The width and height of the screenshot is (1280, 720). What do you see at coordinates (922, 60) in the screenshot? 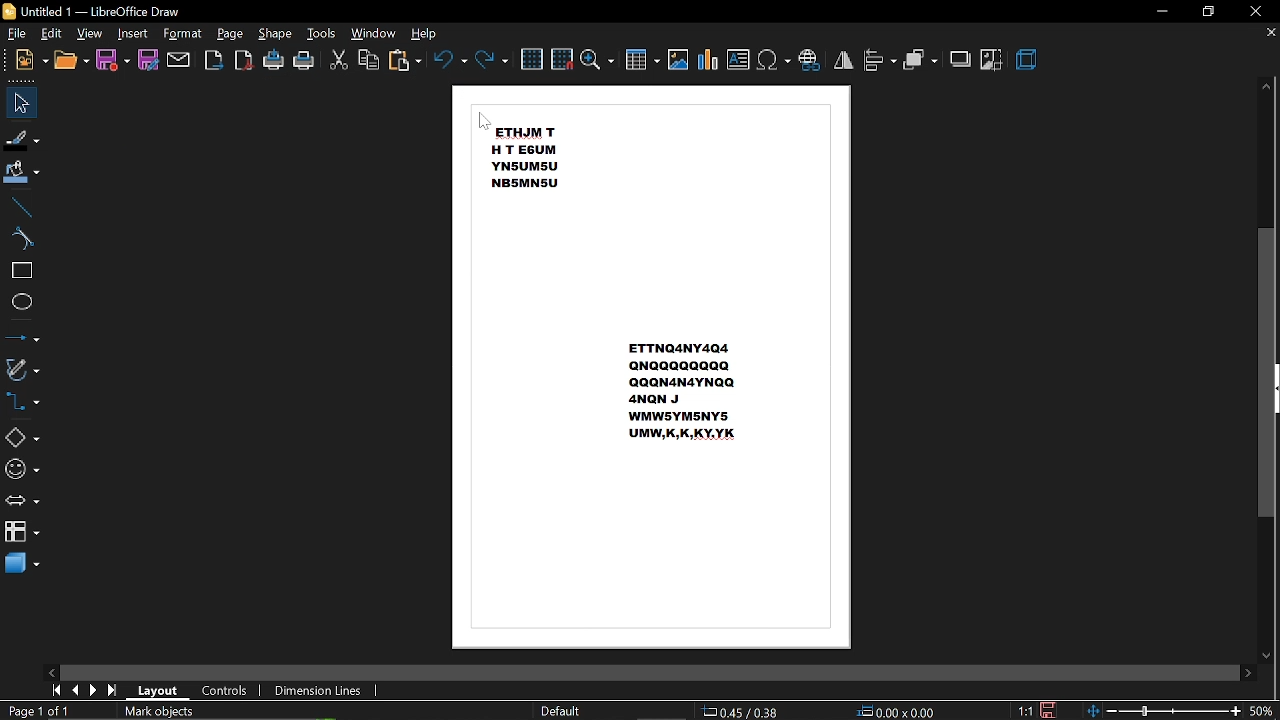
I see `arrange` at bounding box center [922, 60].